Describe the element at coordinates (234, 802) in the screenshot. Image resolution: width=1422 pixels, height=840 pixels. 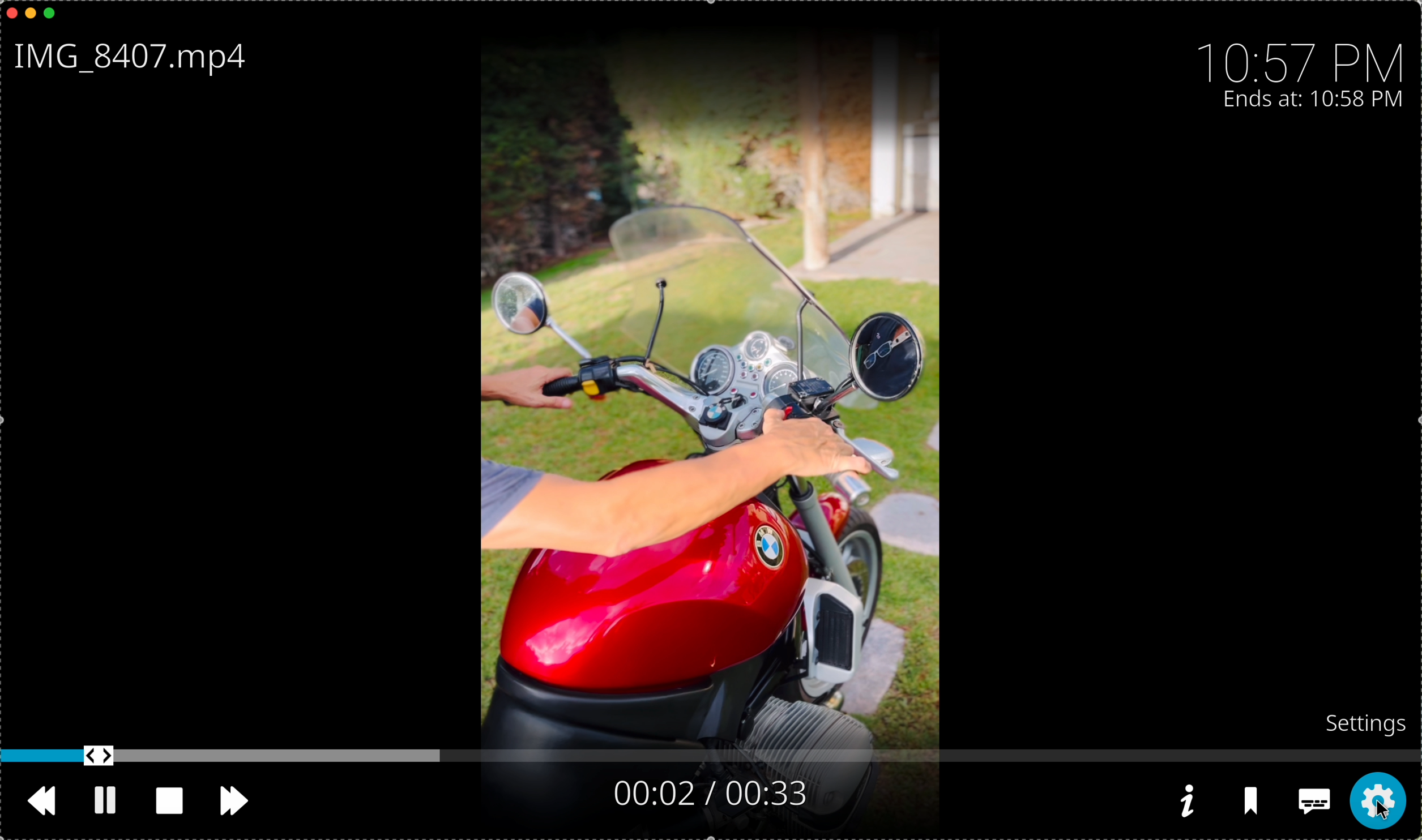
I see `move foward` at that location.